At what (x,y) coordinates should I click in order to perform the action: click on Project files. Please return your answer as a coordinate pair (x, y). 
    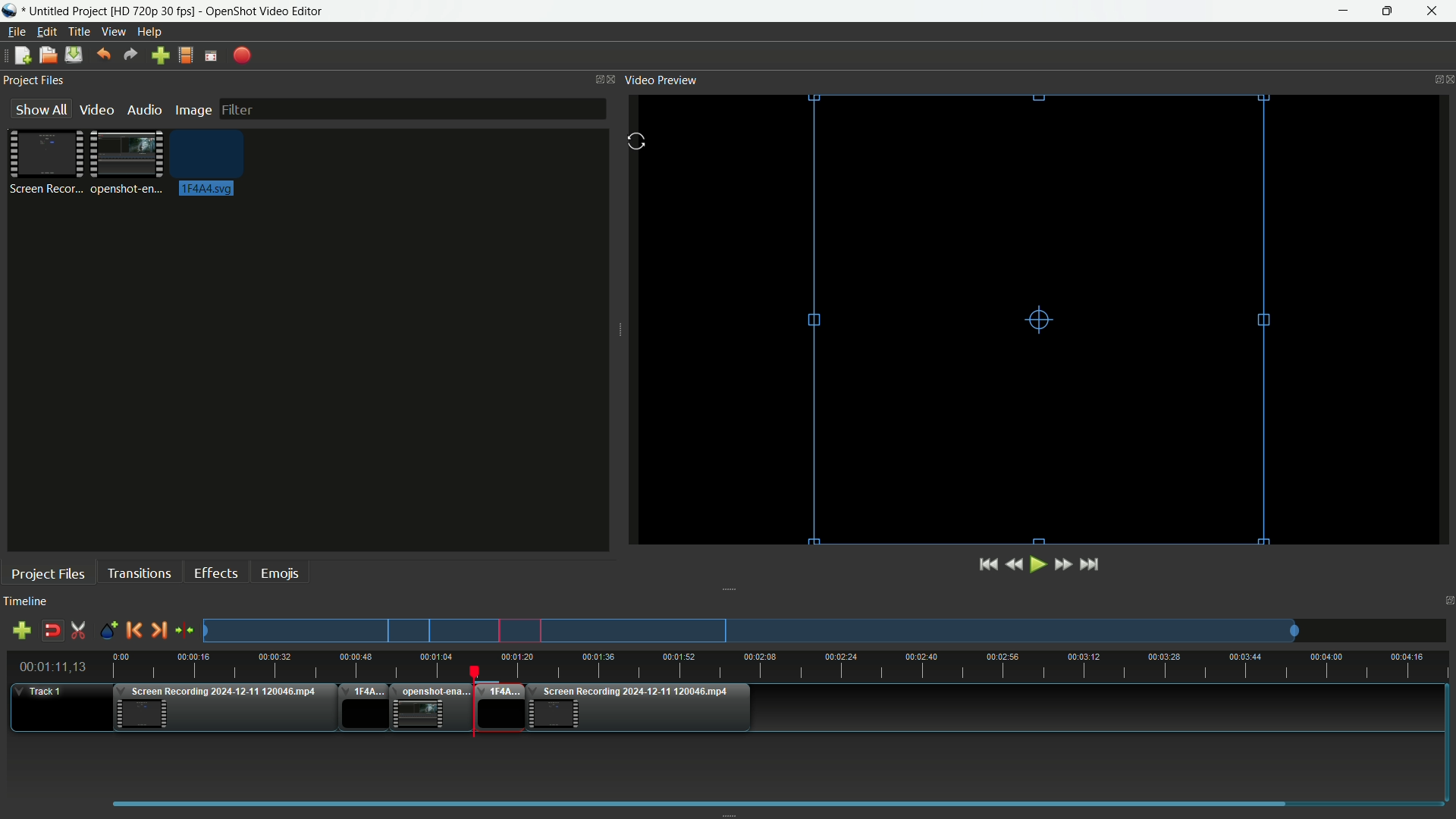
    Looking at the image, I should click on (33, 80).